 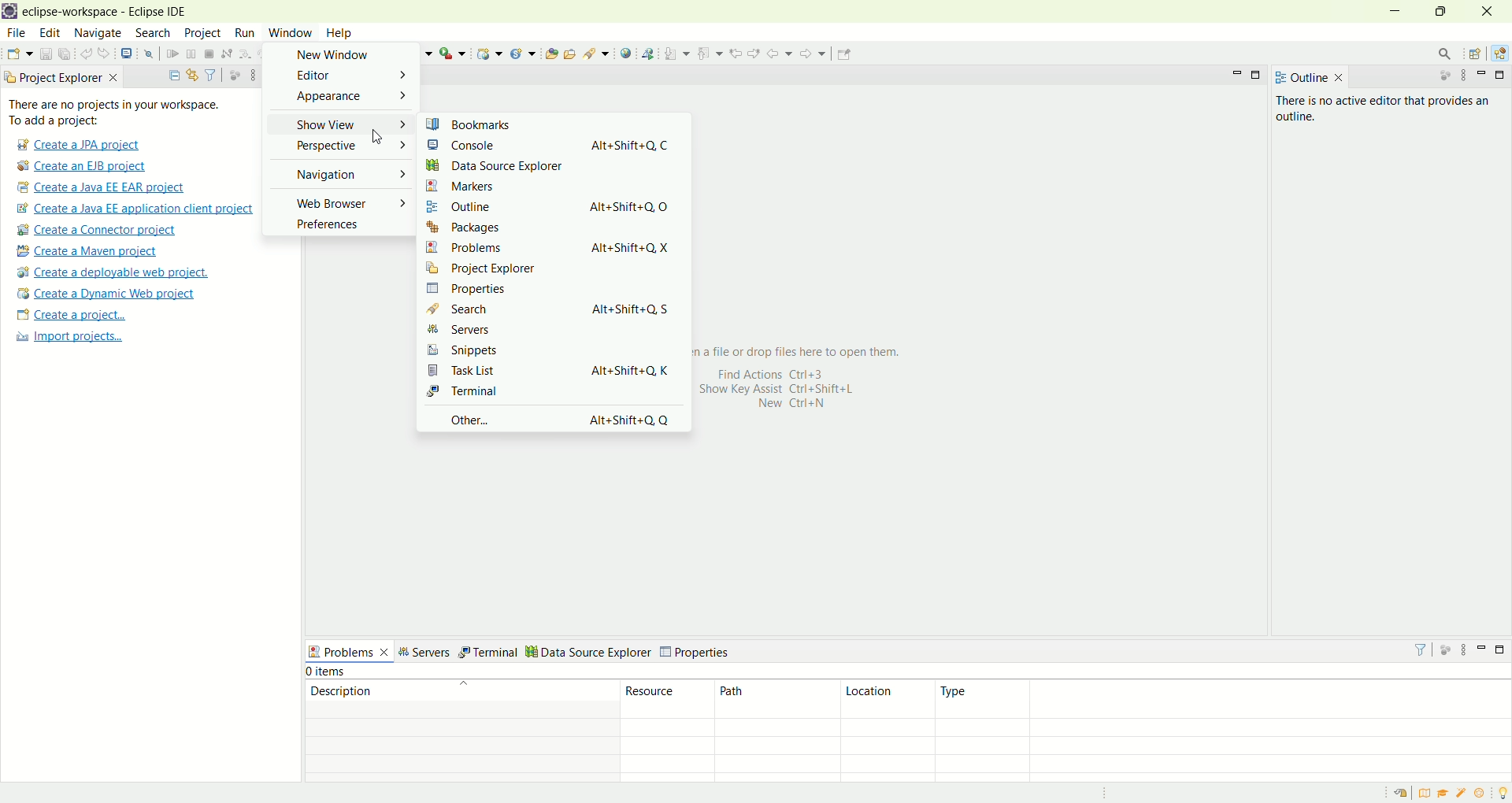 I want to click on restore welcome, so click(x=1399, y=794).